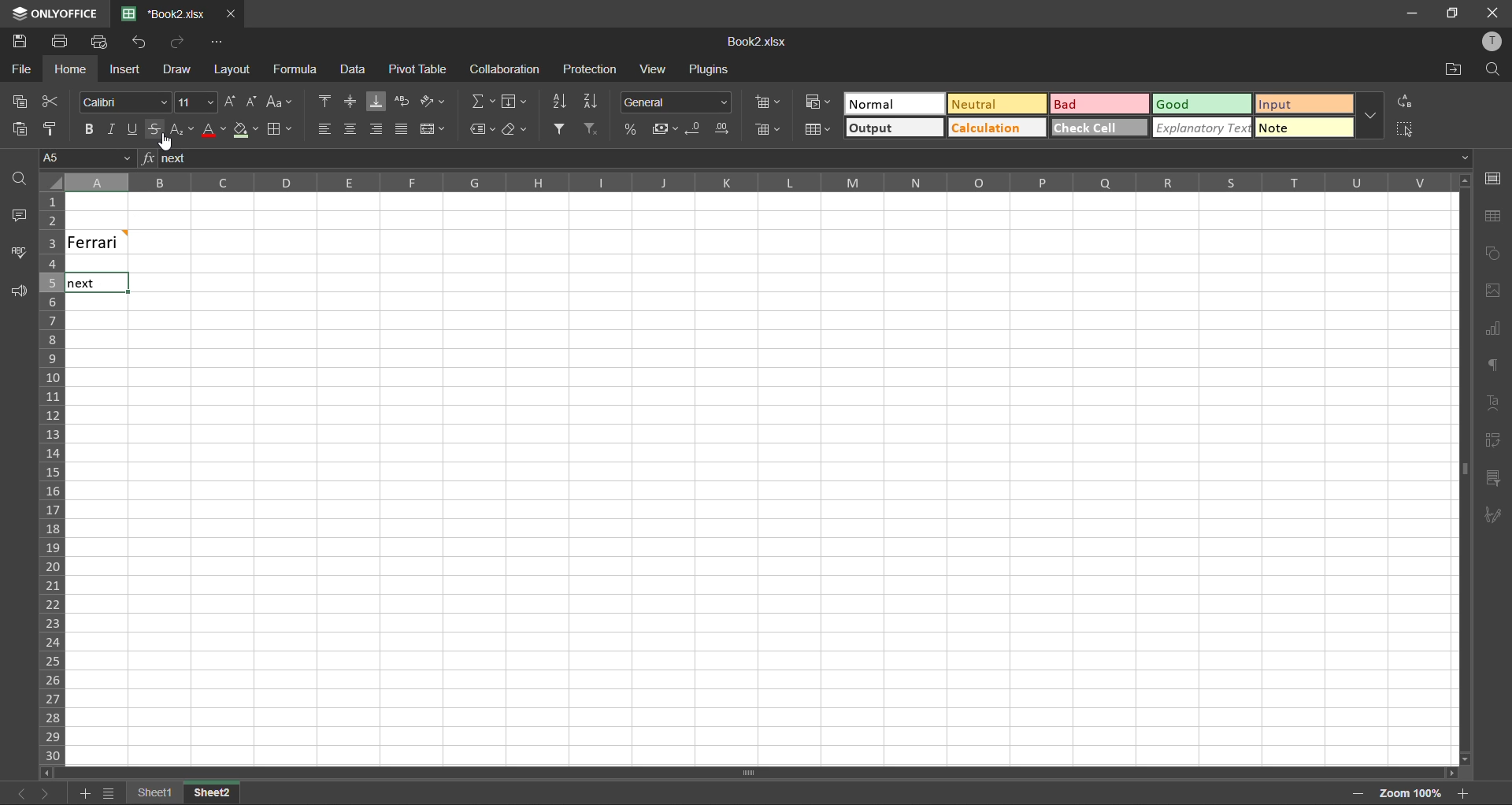  Describe the element at coordinates (156, 129) in the screenshot. I see `strikethrough` at that location.